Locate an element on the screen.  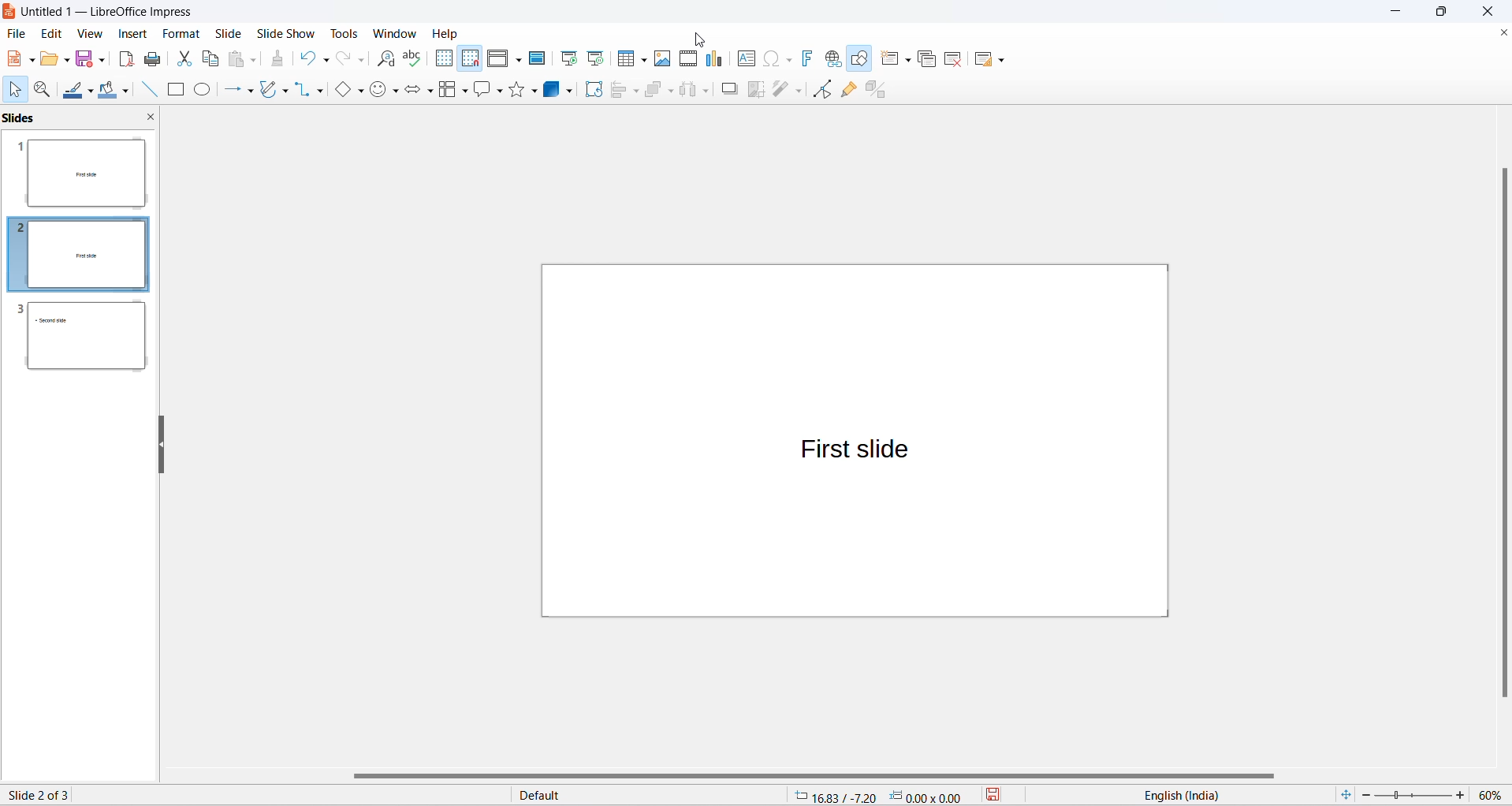
select at least three objects is located at coordinates (692, 89).